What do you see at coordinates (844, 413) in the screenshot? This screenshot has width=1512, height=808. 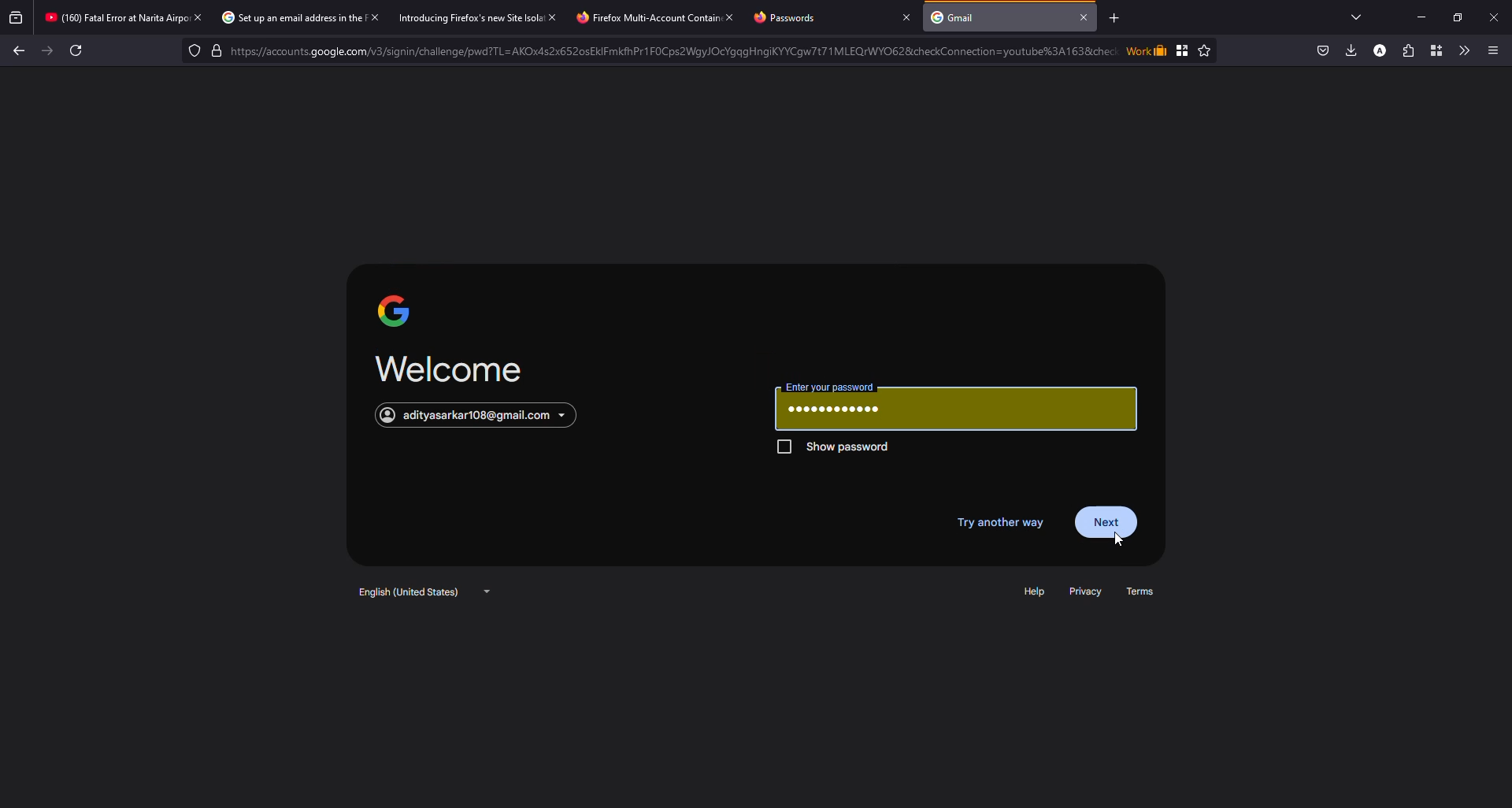 I see `password` at bounding box center [844, 413].